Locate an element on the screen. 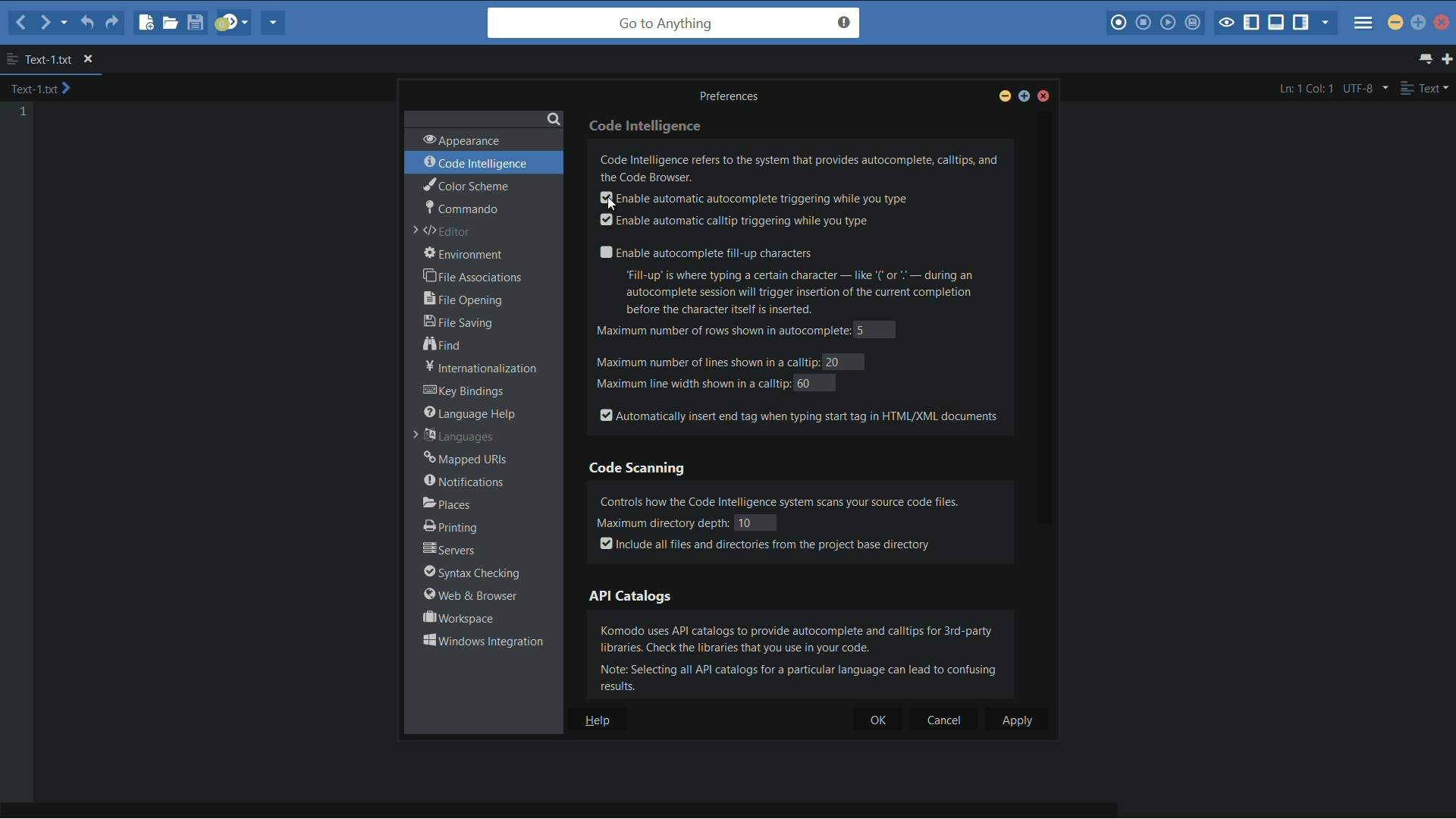 The height and width of the screenshot is (819, 1456). color scheme is located at coordinates (465, 185).